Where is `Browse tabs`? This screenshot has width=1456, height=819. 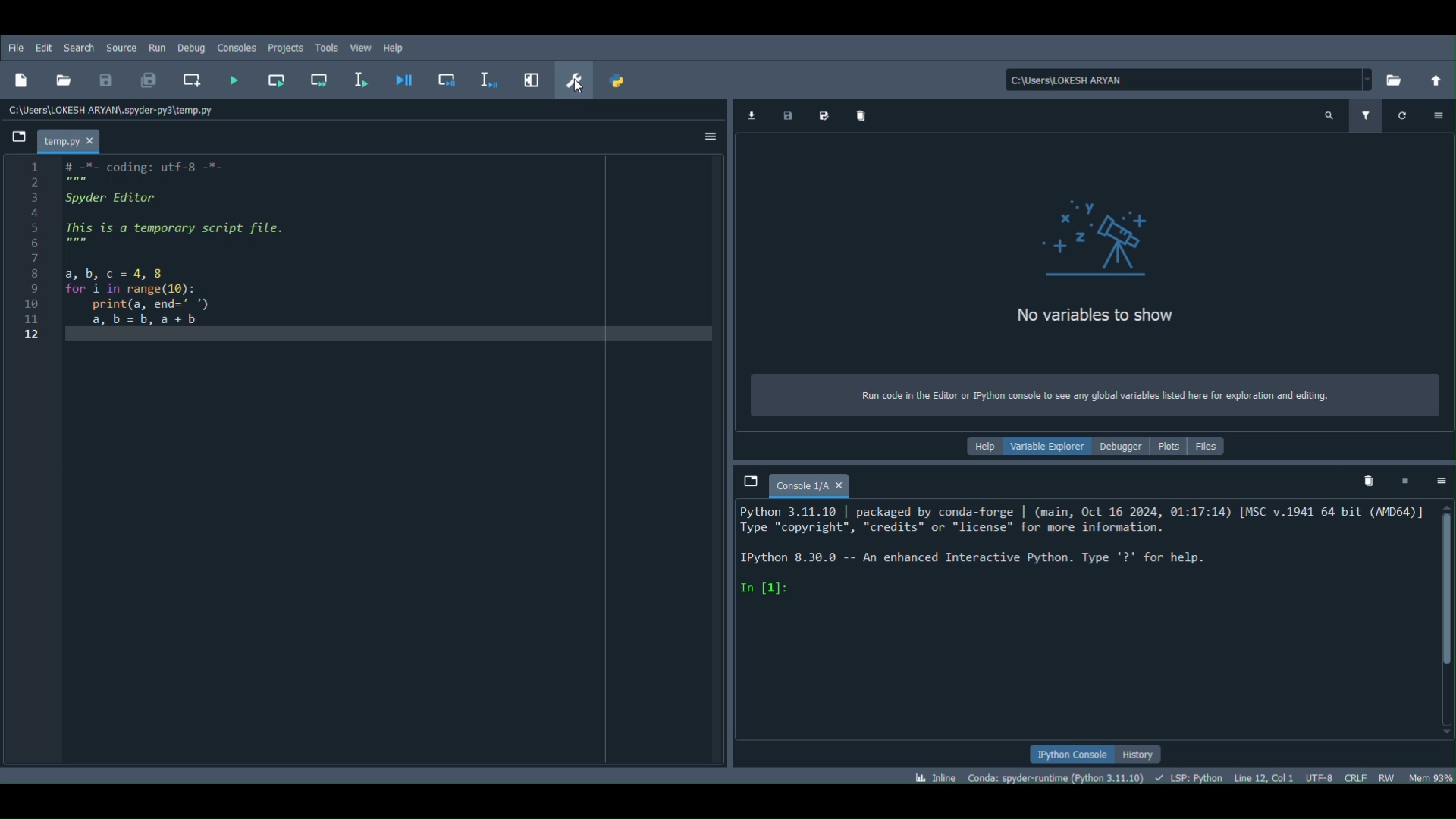 Browse tabs is located at coordinates (18, 137).